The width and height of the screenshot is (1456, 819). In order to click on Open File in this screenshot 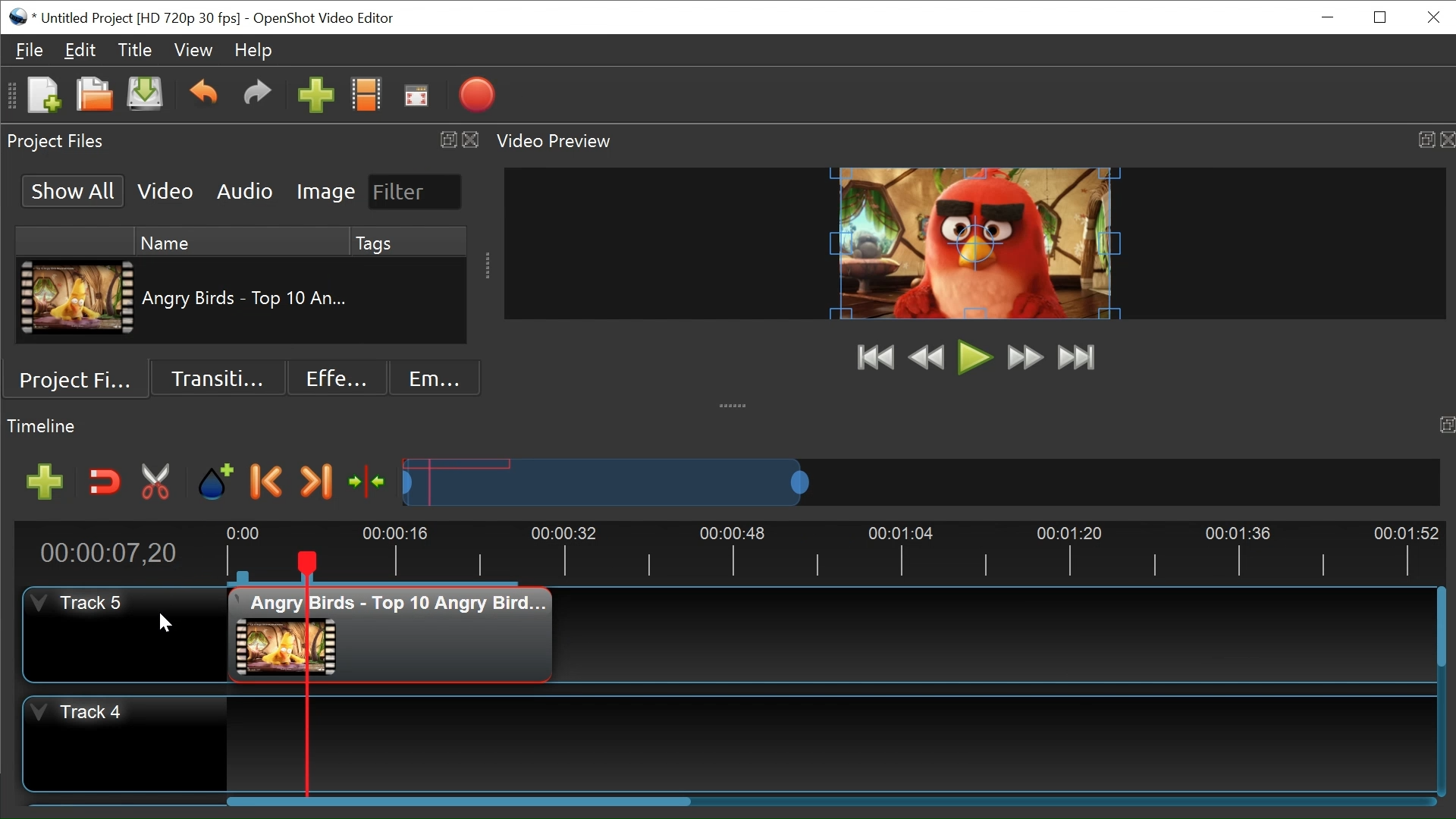, I will do `click(94, 96)`.